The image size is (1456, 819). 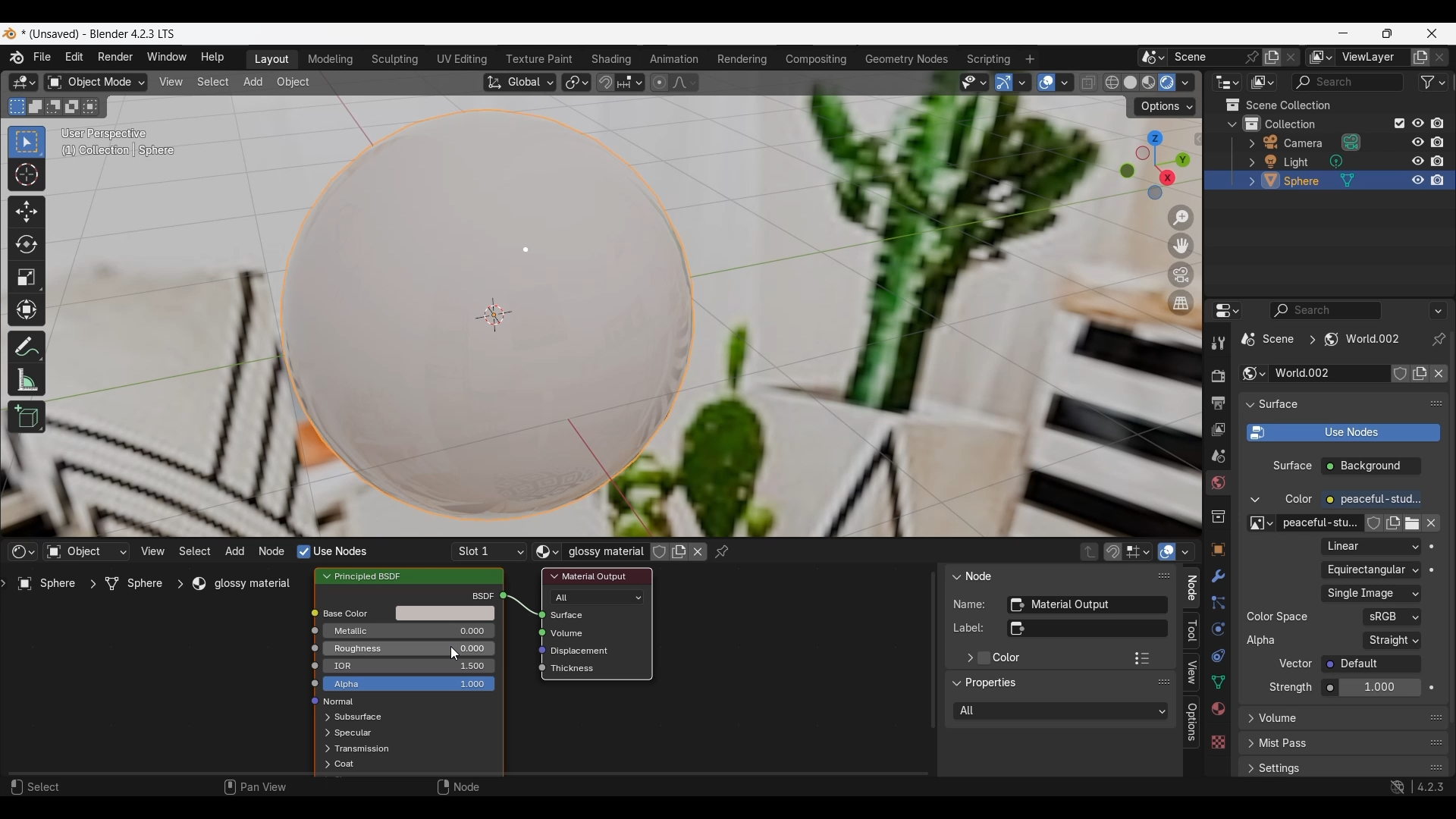 What do you see at coordinates (1432, 570) in the screenshot?
I see `Animate property` at bounding box center [1432, 570].